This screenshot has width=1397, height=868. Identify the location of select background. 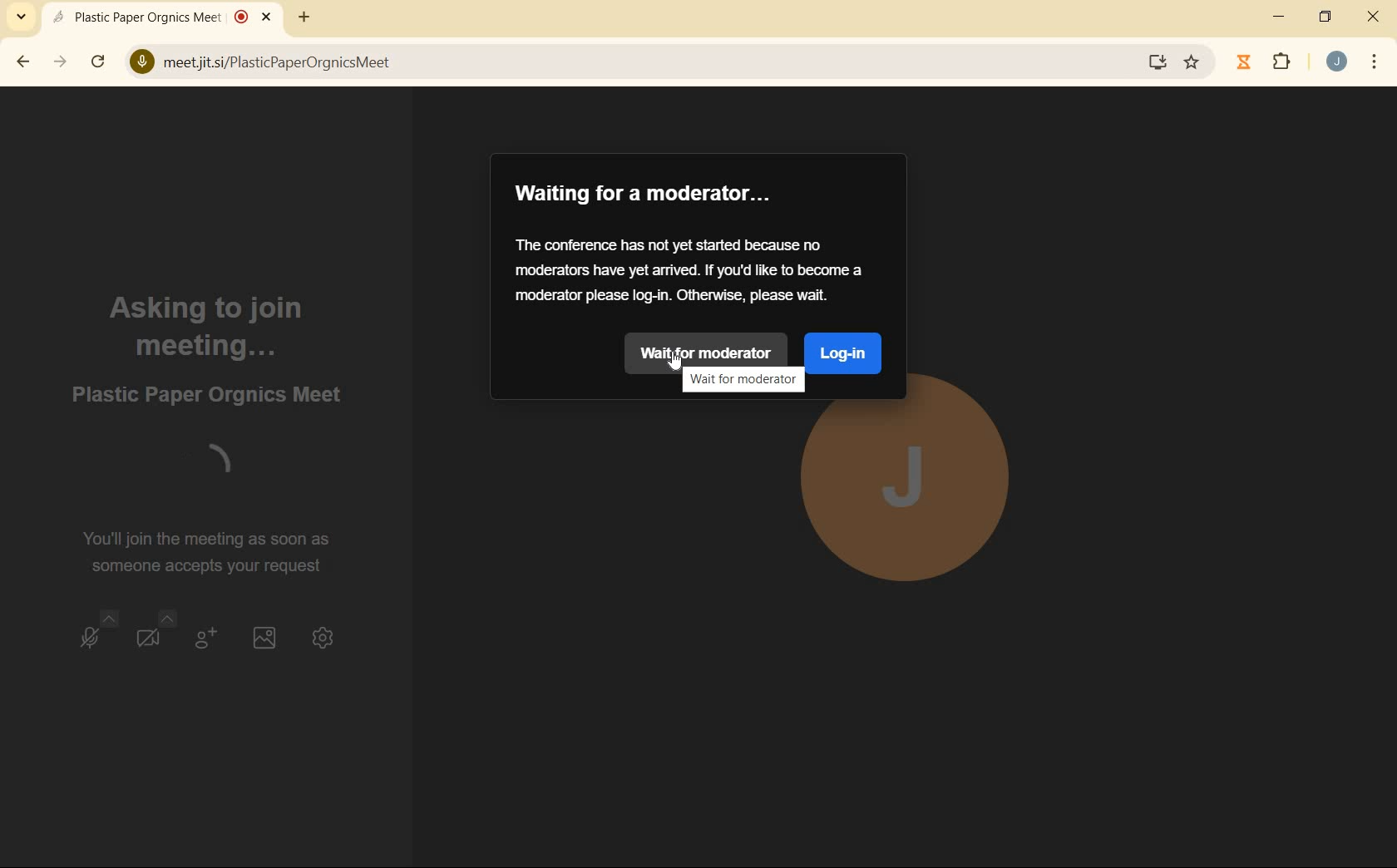
(264, 635).